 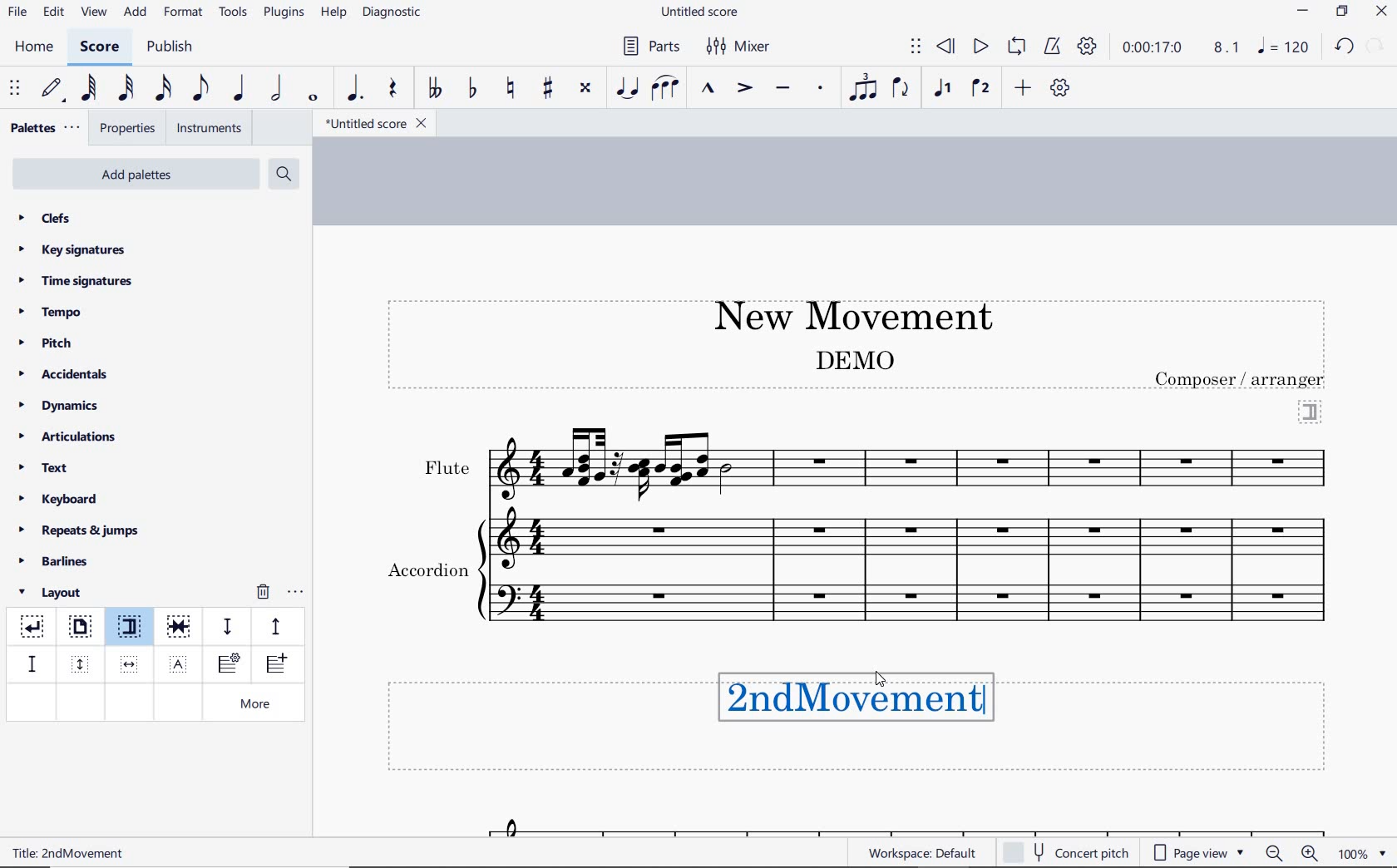 What do you see at coordinates (870, 701) in the screenshot?
I see `Title for new movement` at bounding box center [870, 701].